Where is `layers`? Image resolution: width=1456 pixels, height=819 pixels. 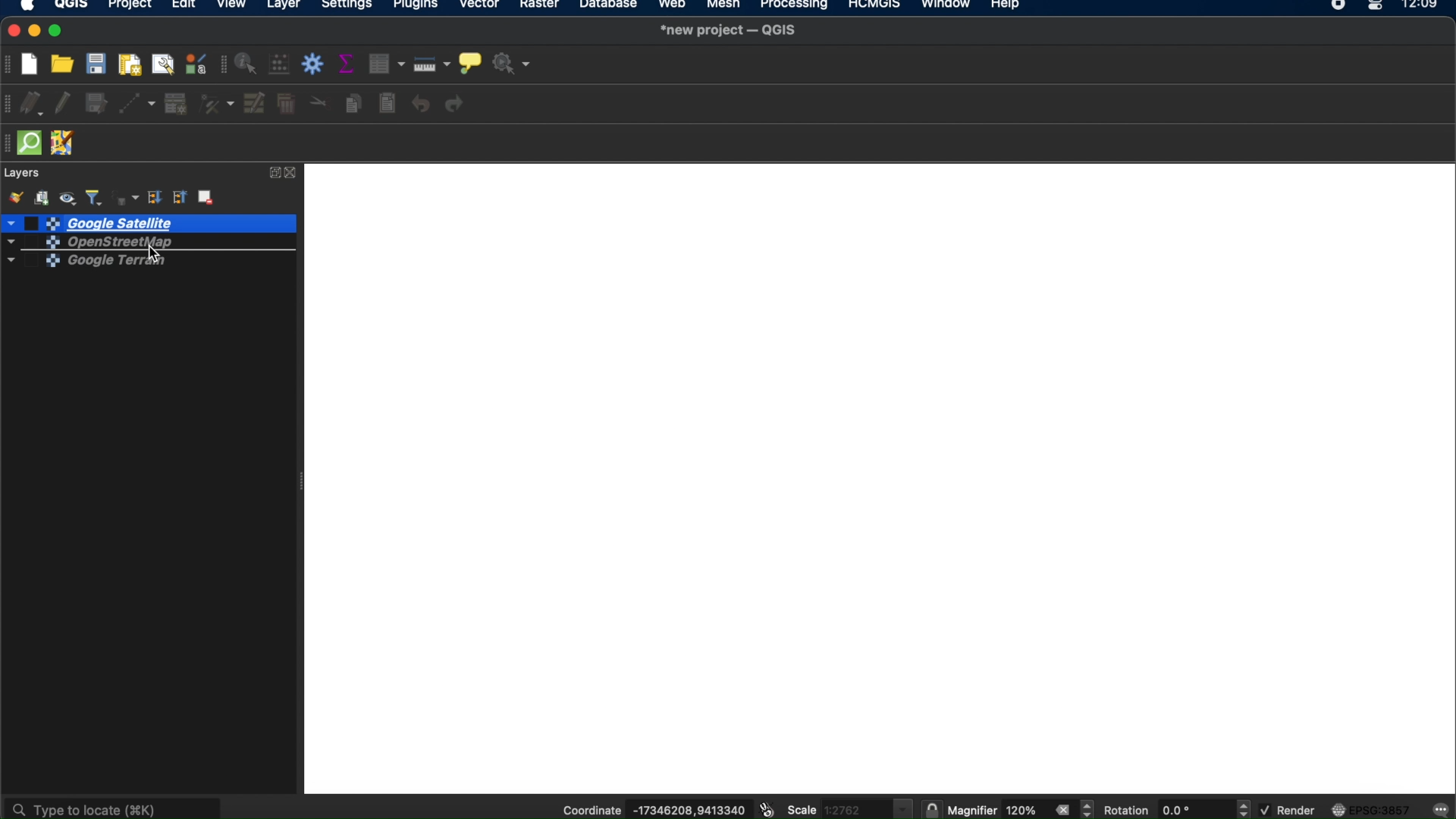
layers is located at coordinates (24, 173).